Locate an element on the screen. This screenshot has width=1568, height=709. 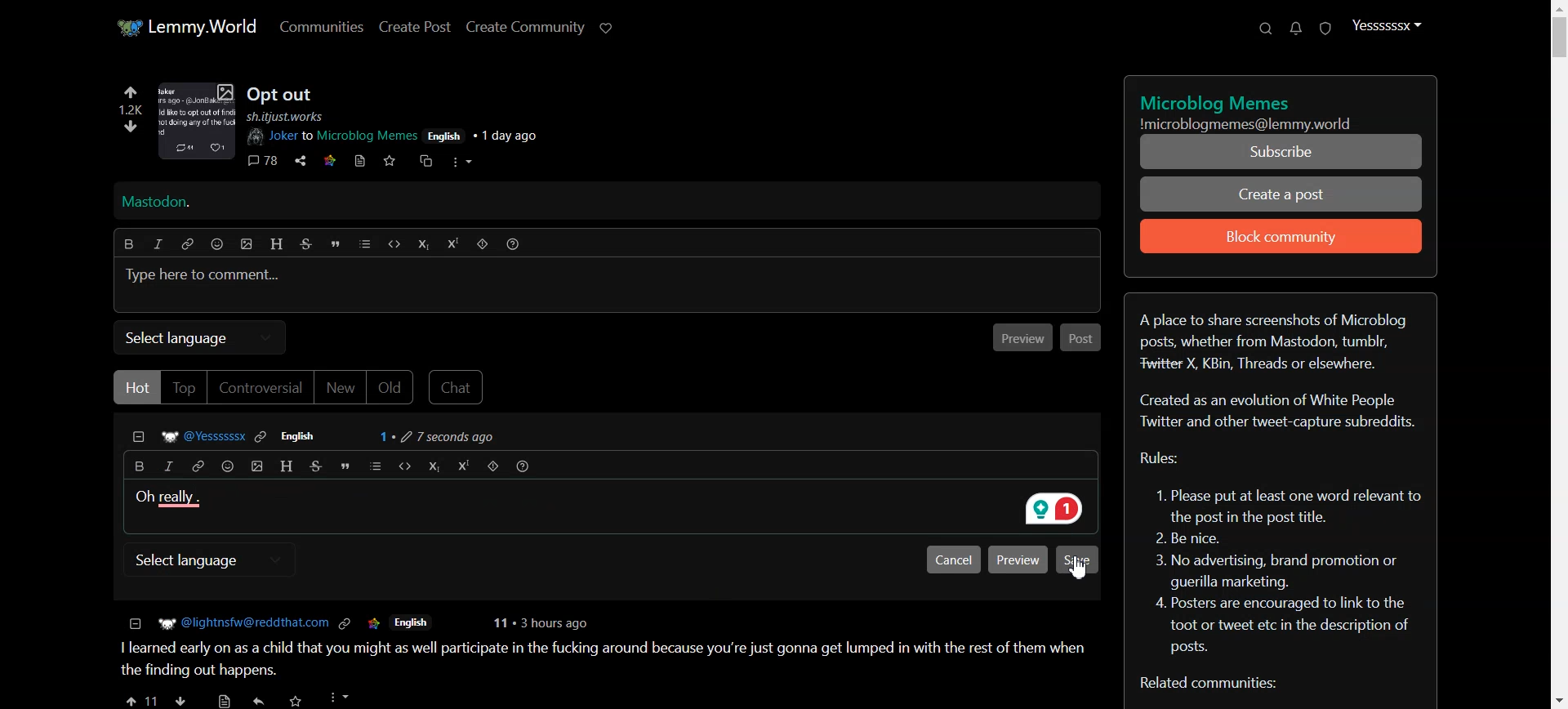
Italic is located at coordinates (157, 243).